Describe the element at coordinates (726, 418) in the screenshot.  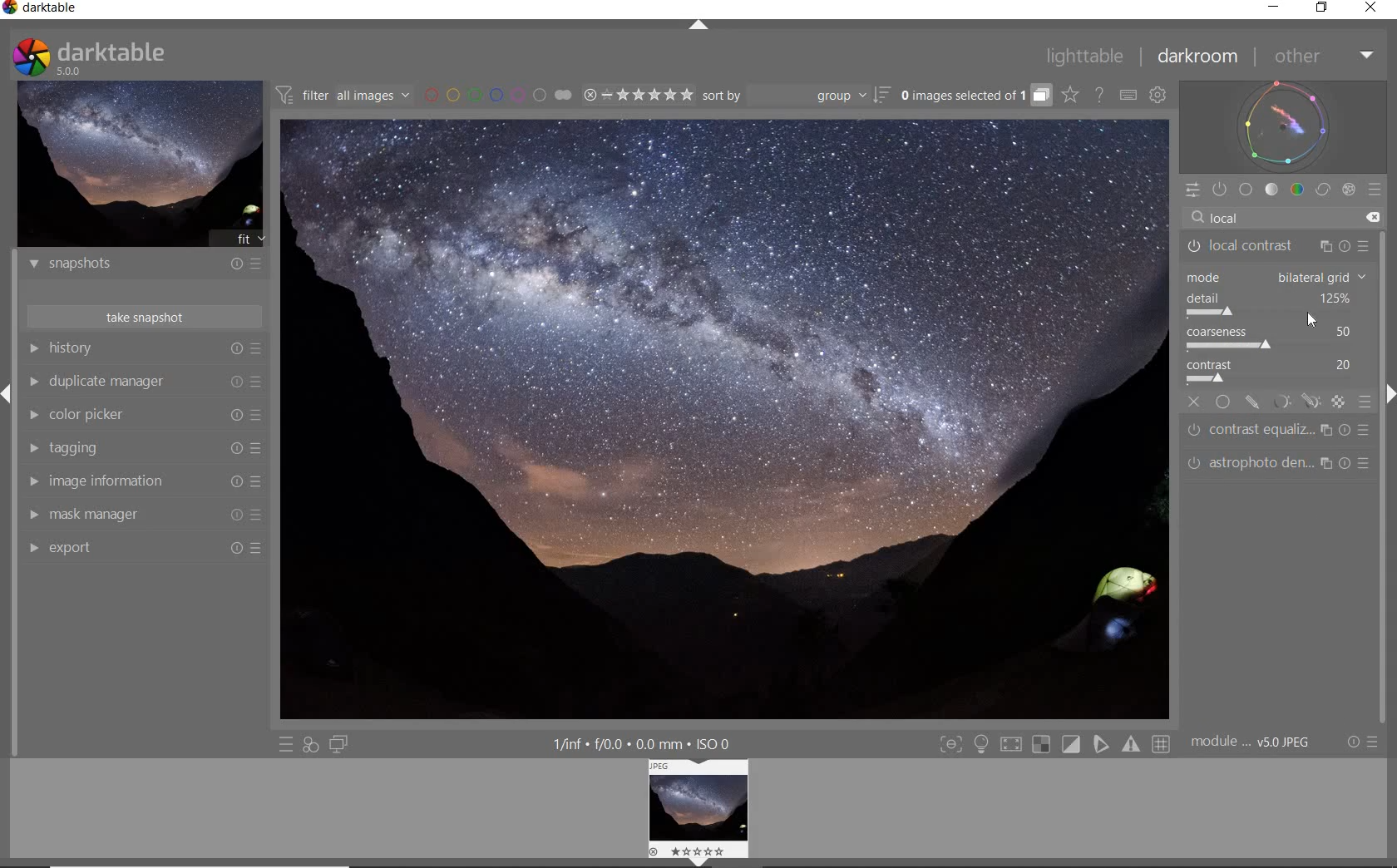
I see `SELECTED IMAGE` at that location.